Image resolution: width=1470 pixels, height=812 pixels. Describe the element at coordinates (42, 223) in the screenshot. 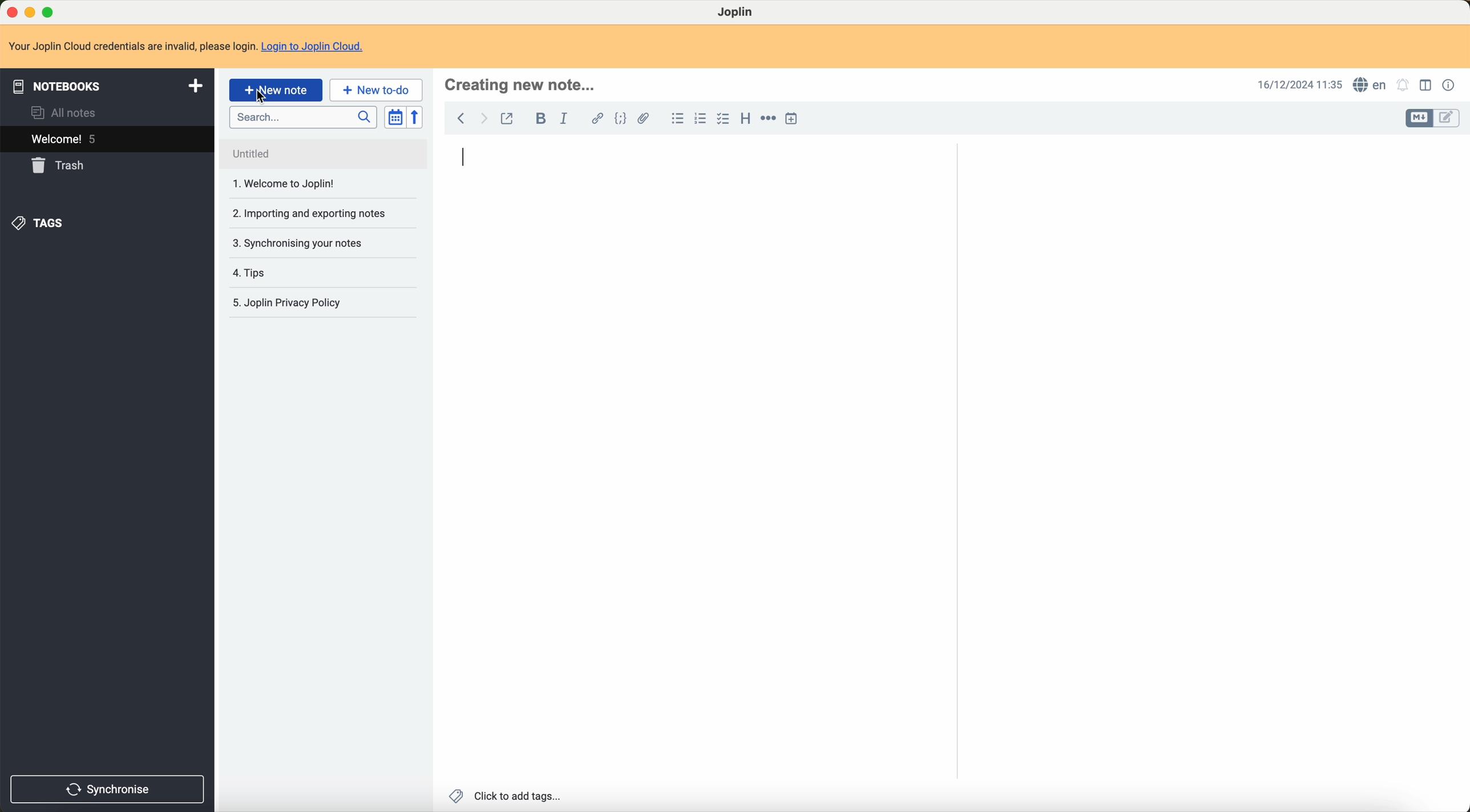

I see `tags` at that location.